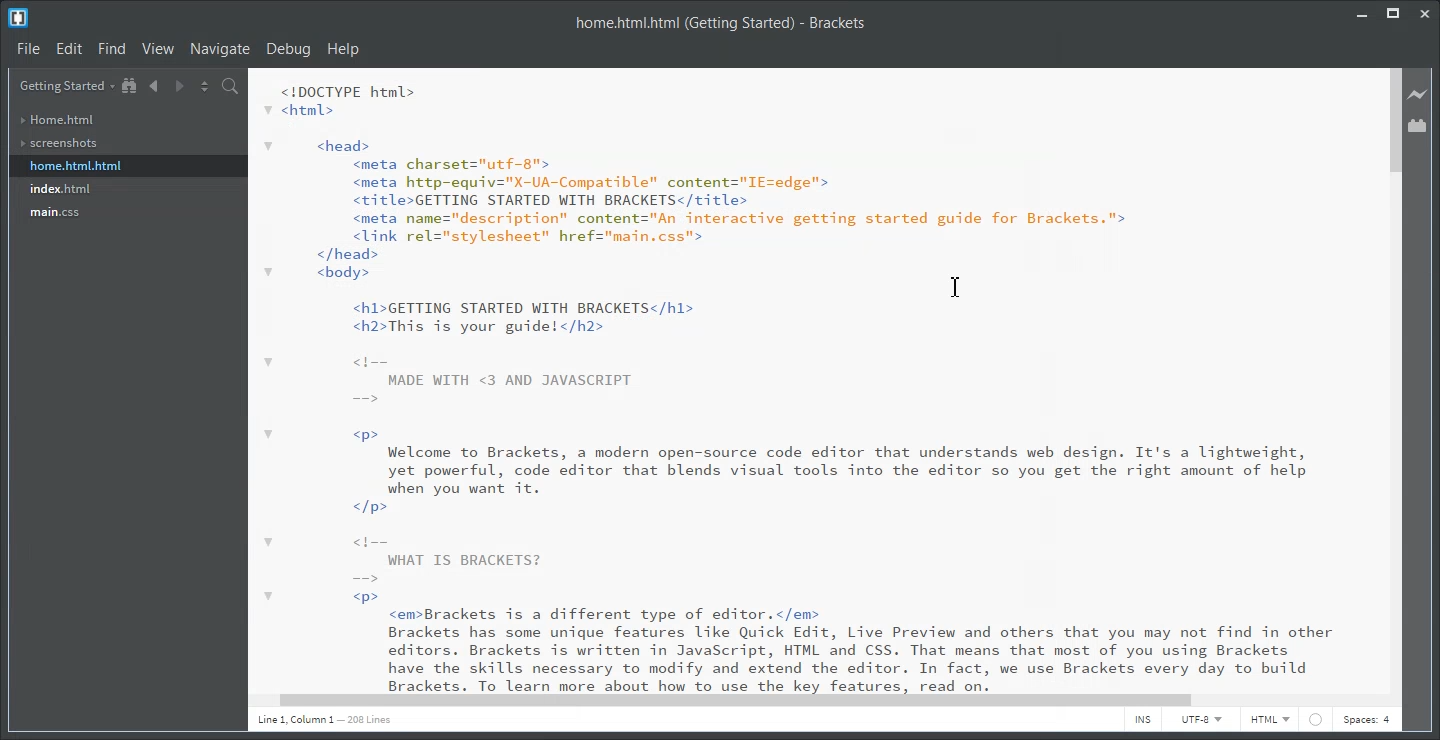  I want to click on Text 3, so click(329, 723).